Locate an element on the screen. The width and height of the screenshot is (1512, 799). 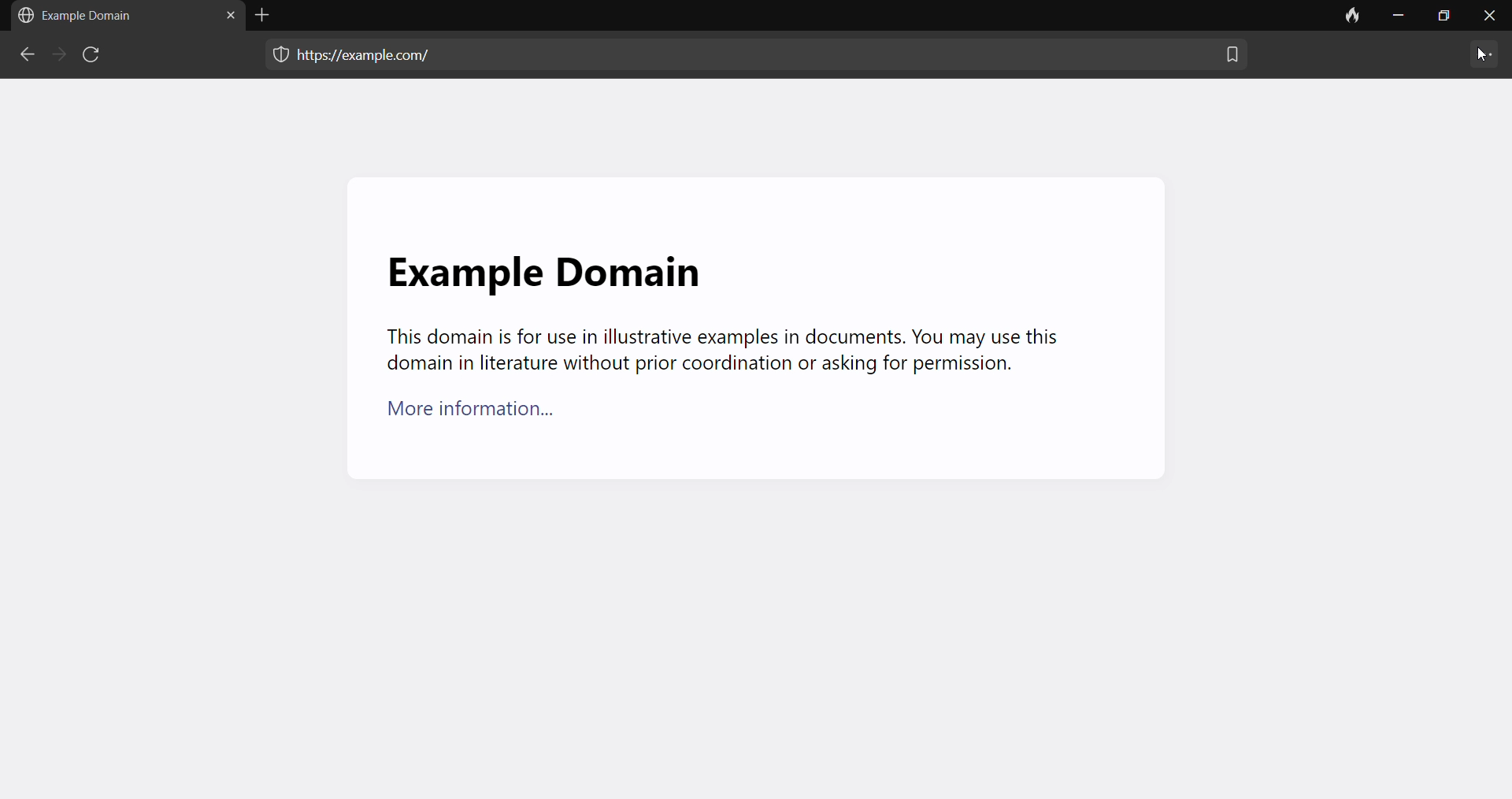
This domain is for use in illustrative examples in documents. You may use this
domain in literature without prior coordination or asking for permission. is located at coordinates (720, 351).